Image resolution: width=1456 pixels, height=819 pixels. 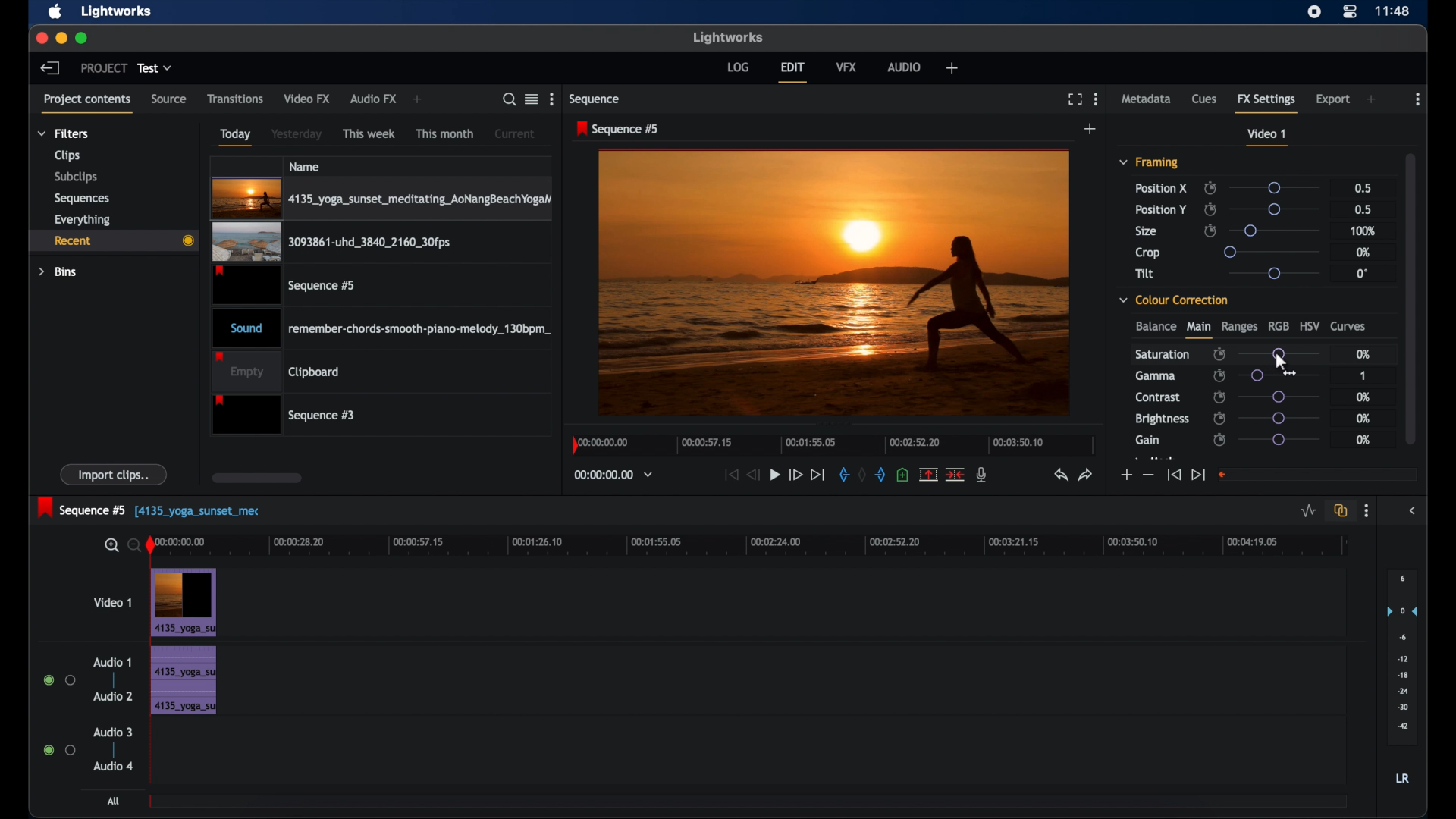 I want to click on log, so click(x=738, y=66).